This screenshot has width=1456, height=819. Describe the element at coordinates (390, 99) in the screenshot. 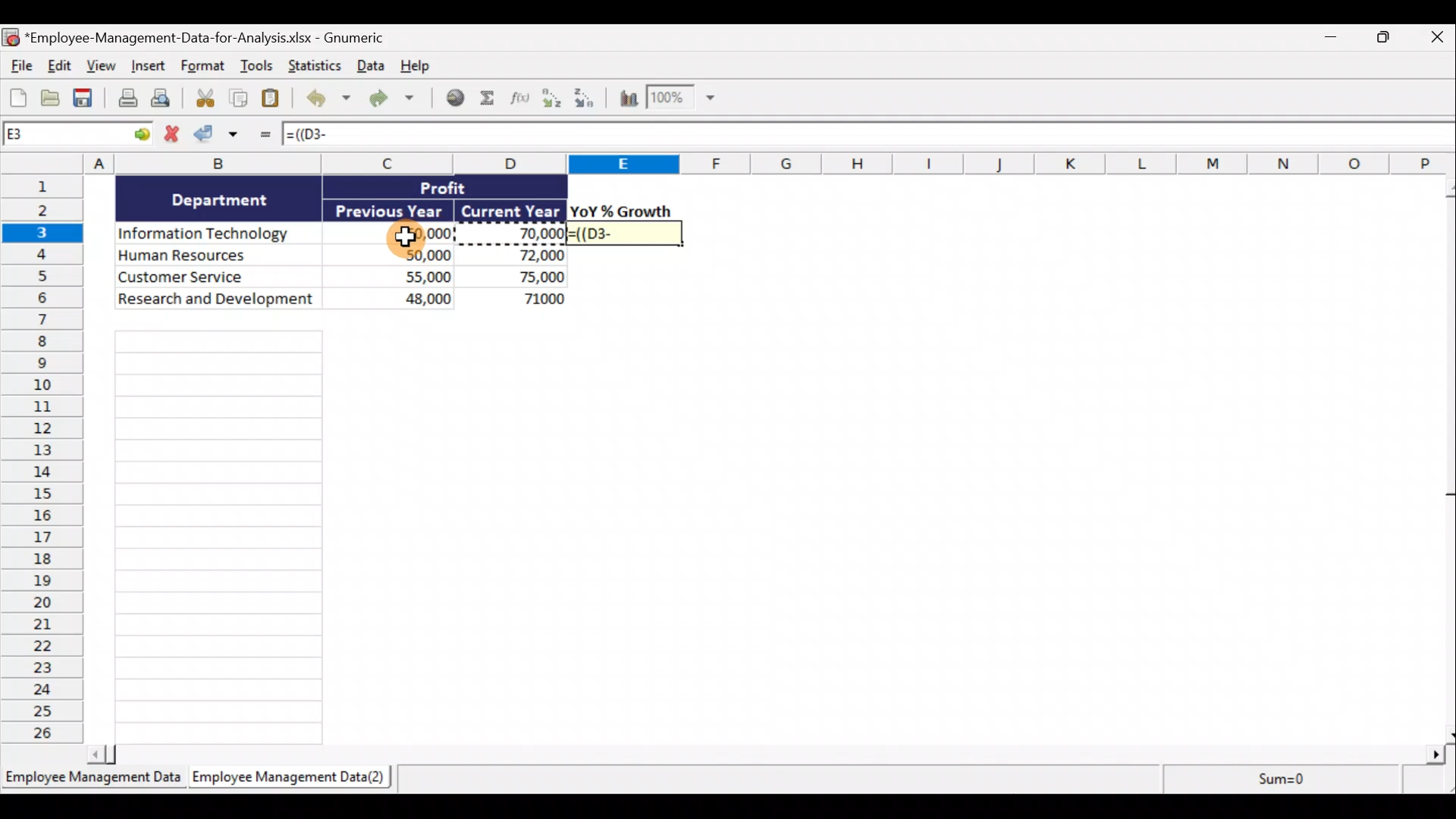

I see `Redo undone action` at that location.